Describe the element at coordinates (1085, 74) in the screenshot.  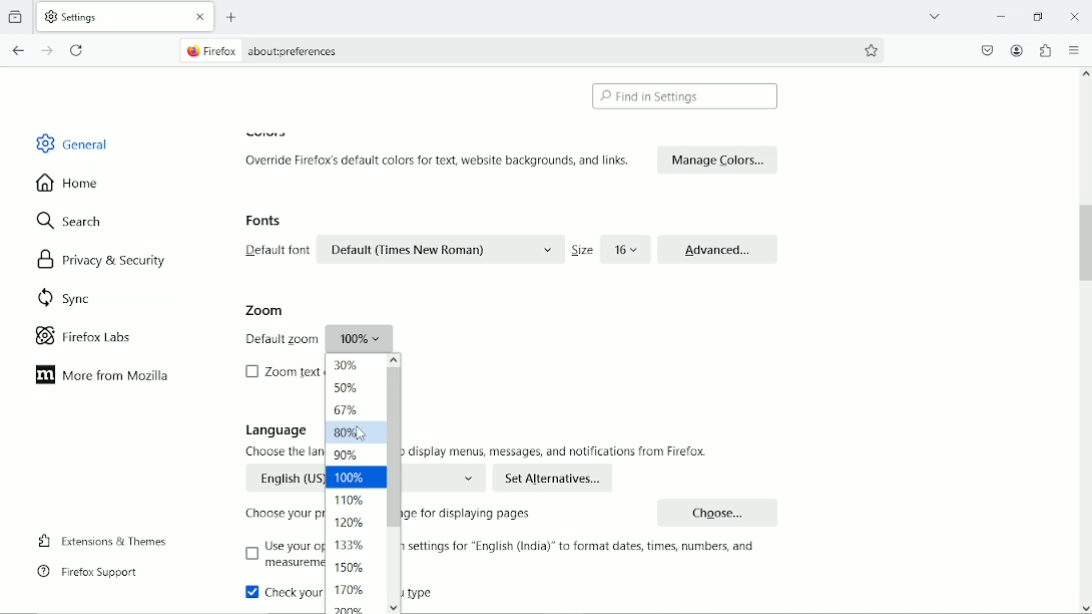
I see `Scroll Up` at that location.